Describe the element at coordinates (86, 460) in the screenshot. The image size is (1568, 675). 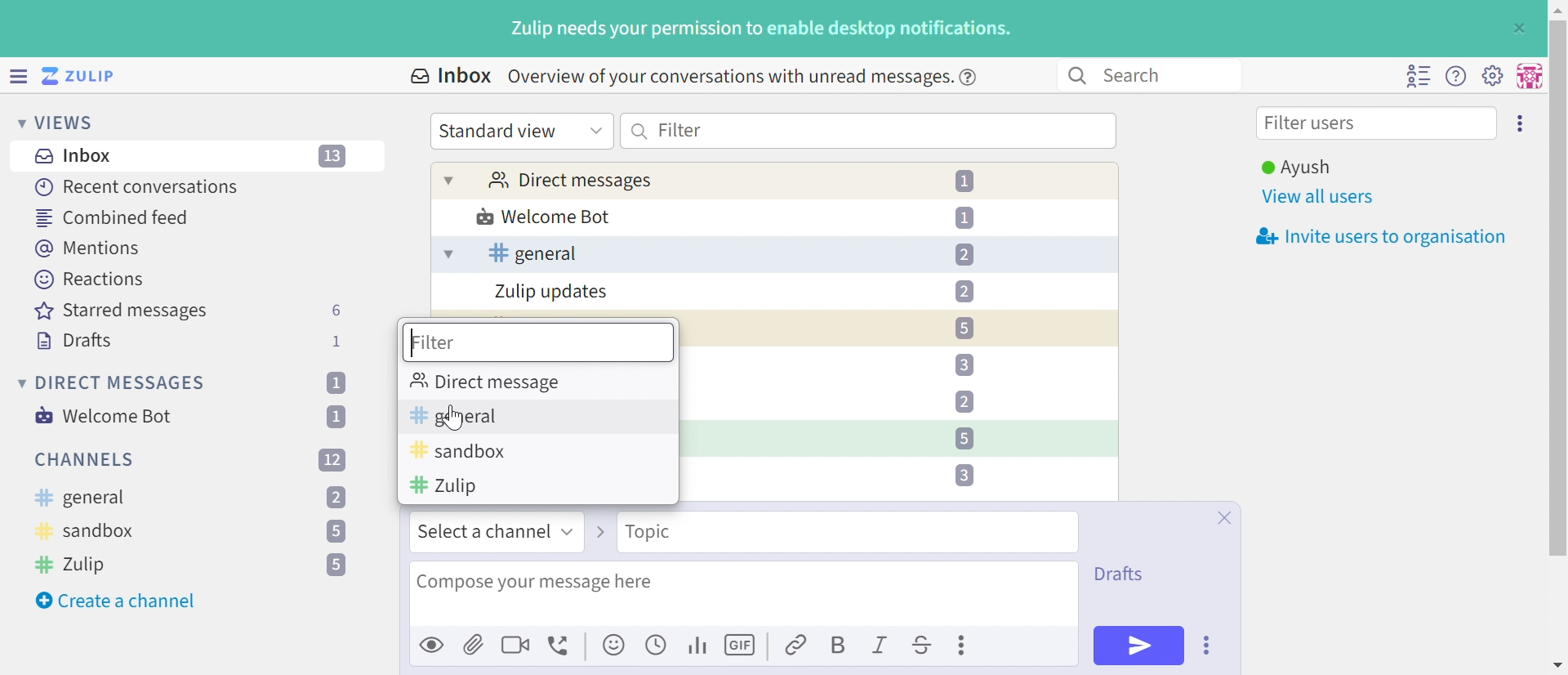
I see `CHANNELS` at that location.